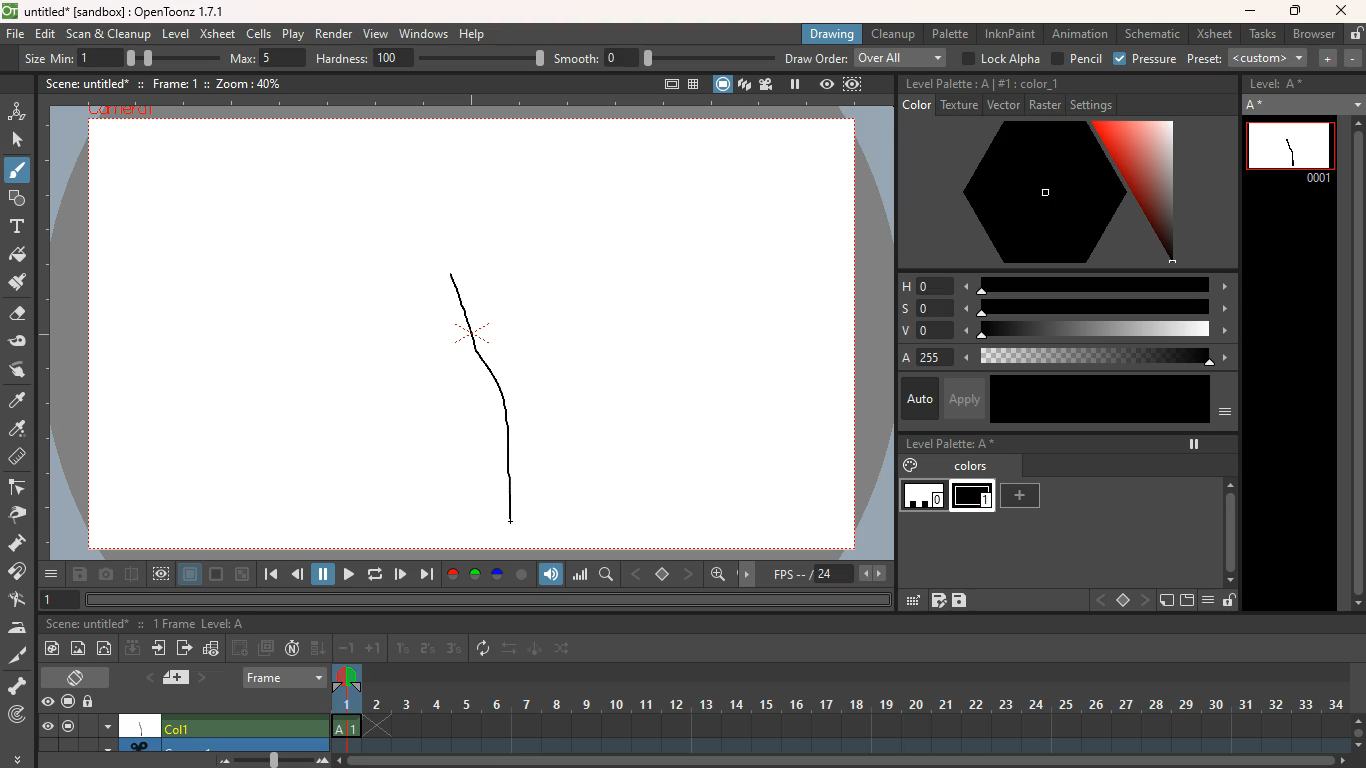 The image size is (1366, 768). Describe the element at coordinates (1025, 496) in the screenshot. I see `add` at that location.